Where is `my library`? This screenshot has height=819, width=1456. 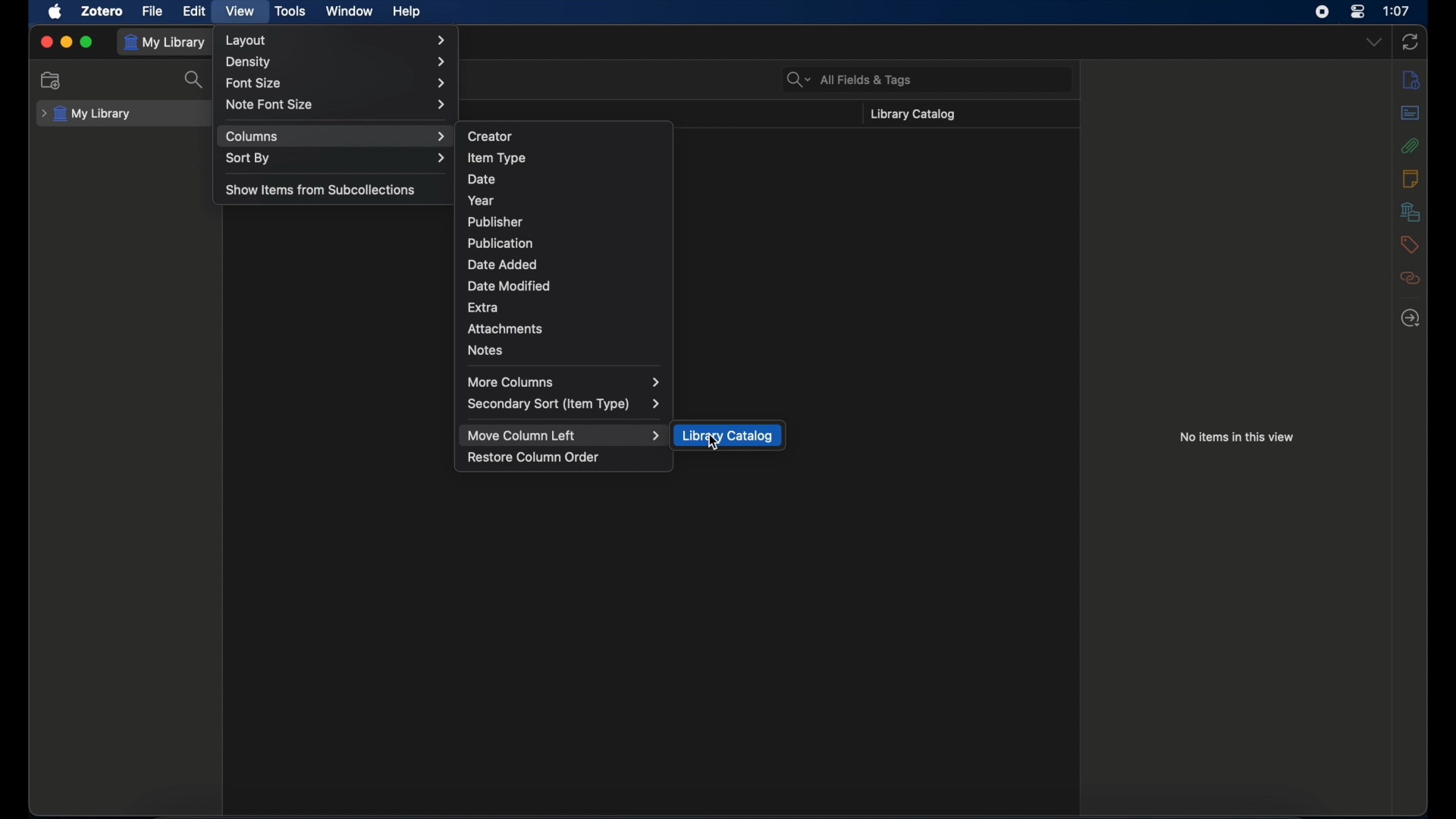 my library is located at coordinates (164, 43).